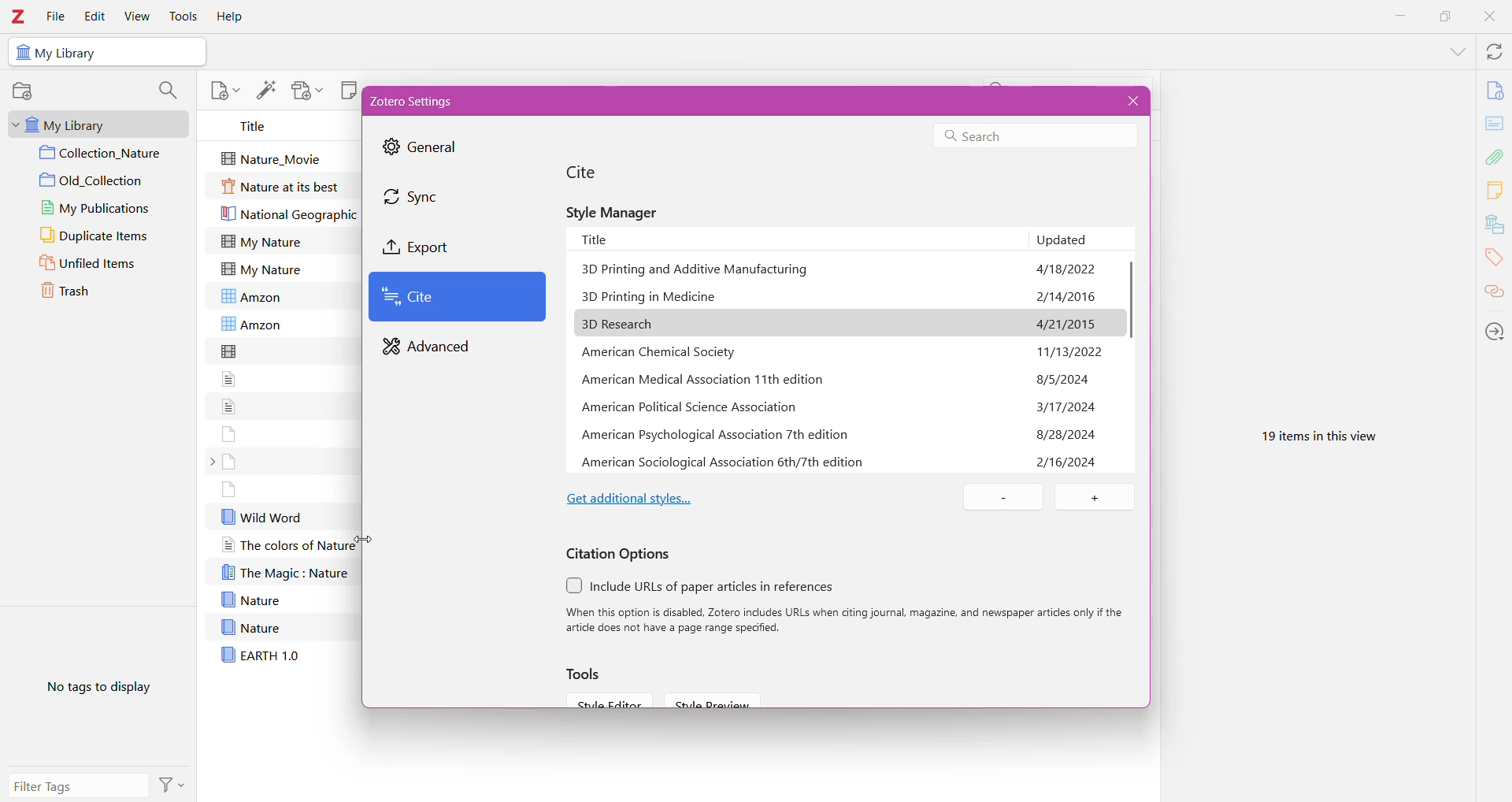 This screenshot has height=802, width=1512. I want to click on Tools, so click(588, 674).